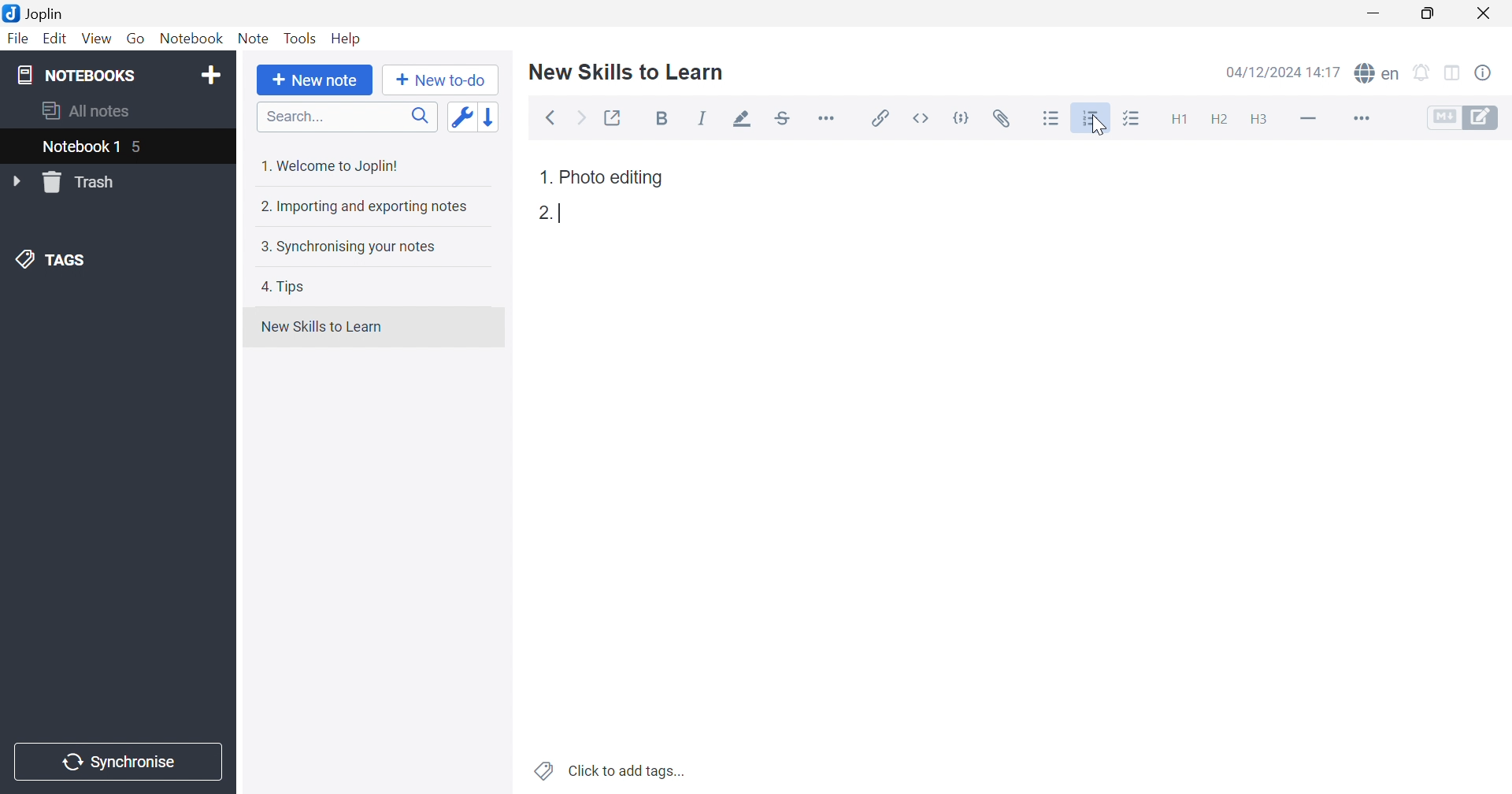 This screenshot has height=794, width=1512. What do you see at coordinates (1177, 121) in the screenshot?
I see `Heading 1` at bounding box center [1177, 121].